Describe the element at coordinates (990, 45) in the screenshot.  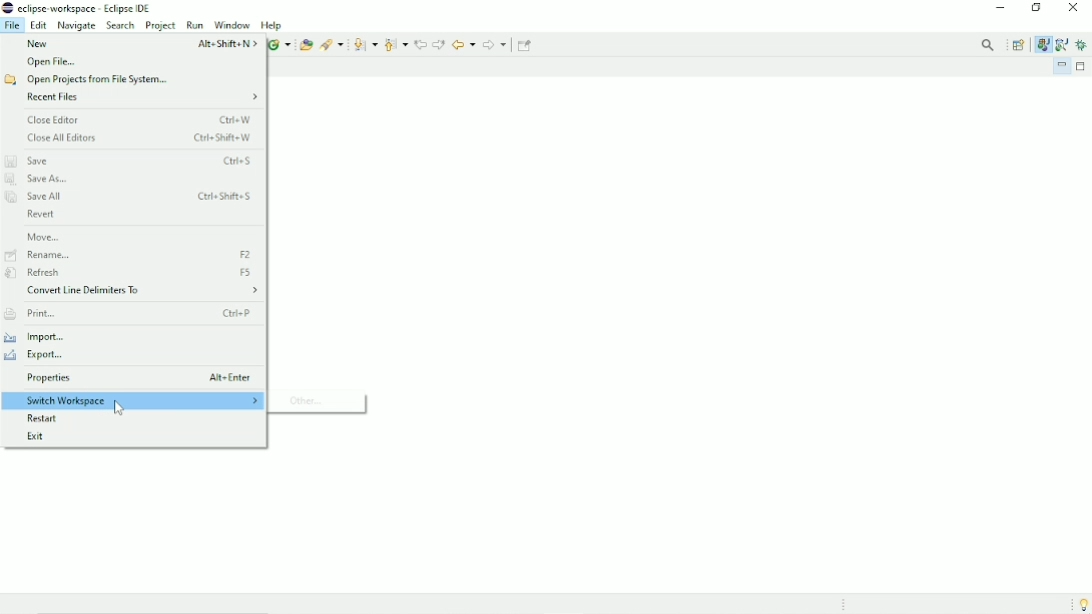
I see `Access commands and other items` at that location.